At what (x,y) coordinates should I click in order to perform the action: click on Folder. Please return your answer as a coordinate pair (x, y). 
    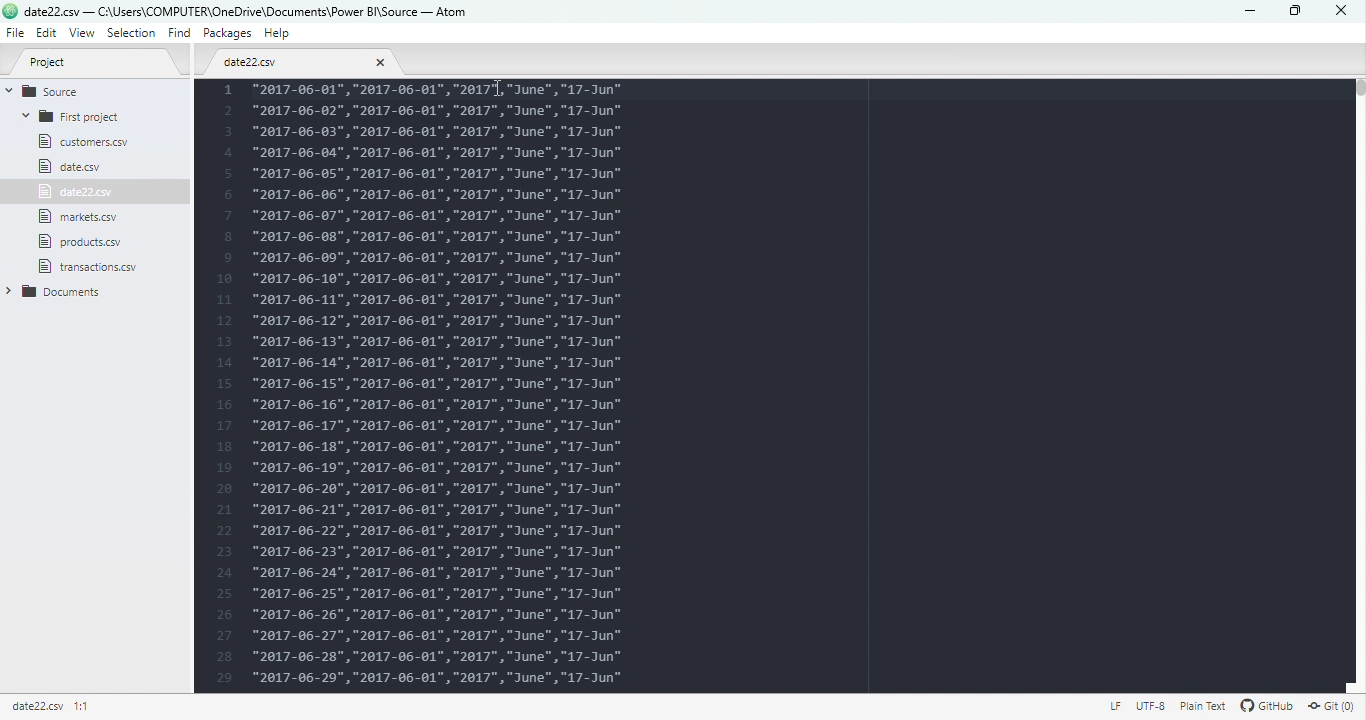
    Looking at the image, I should click on (79, 116).